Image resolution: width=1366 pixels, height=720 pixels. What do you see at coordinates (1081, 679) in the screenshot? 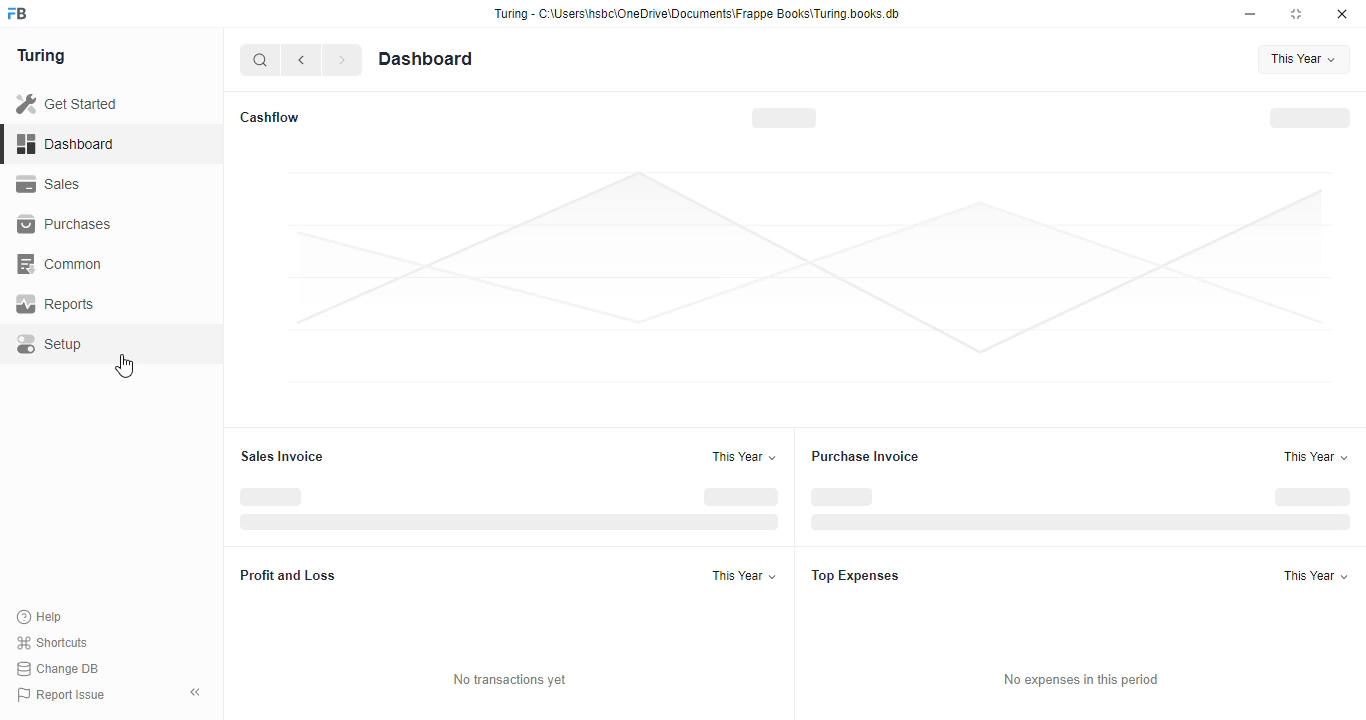
I see `no expenses in this period` at bounding box center [1081, 679].